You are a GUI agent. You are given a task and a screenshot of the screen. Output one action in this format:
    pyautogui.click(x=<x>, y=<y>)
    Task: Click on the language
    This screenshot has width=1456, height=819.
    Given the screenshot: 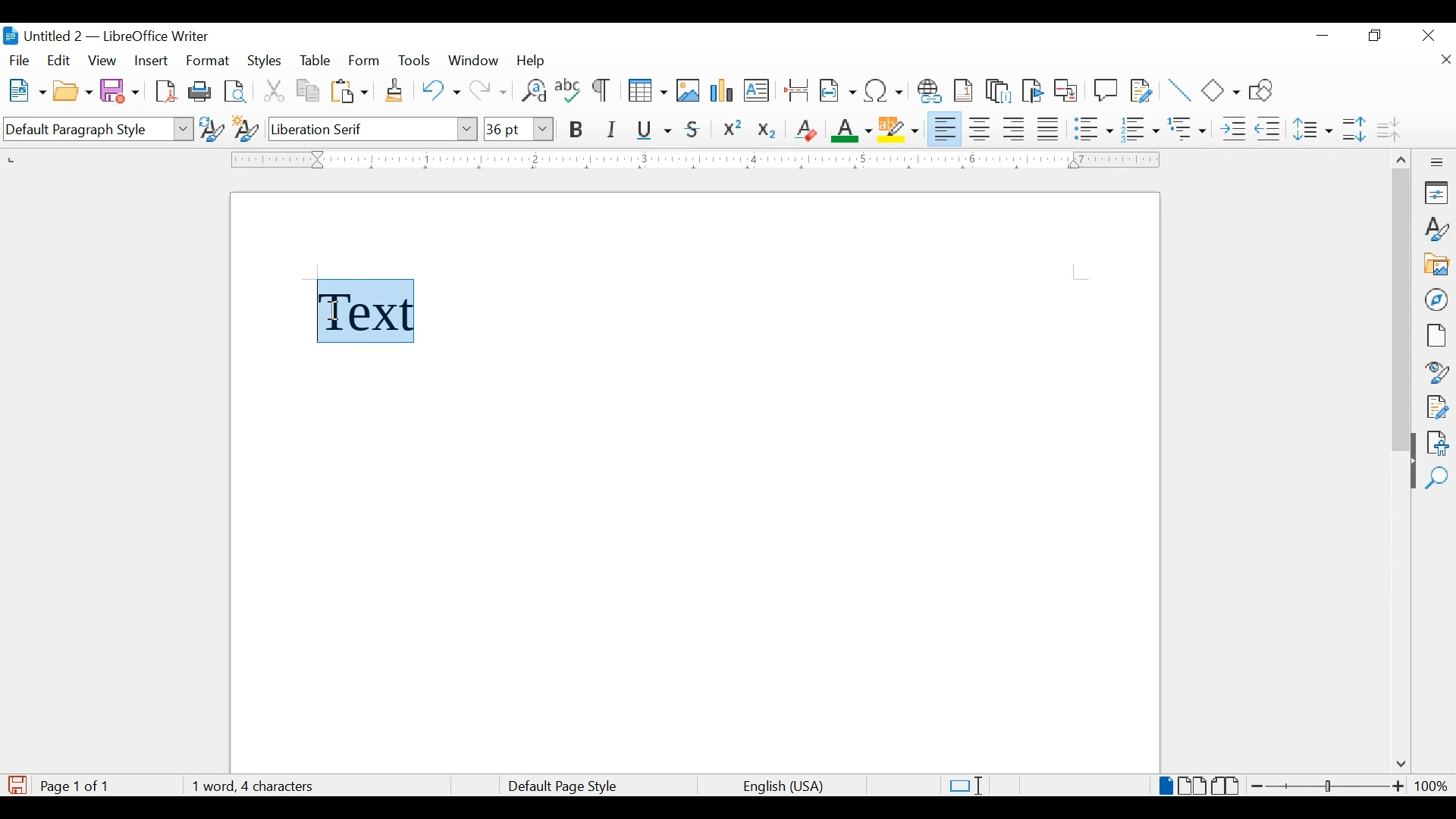 What is the action you would take?
    pyautogui.click(x=785, y=787)
    